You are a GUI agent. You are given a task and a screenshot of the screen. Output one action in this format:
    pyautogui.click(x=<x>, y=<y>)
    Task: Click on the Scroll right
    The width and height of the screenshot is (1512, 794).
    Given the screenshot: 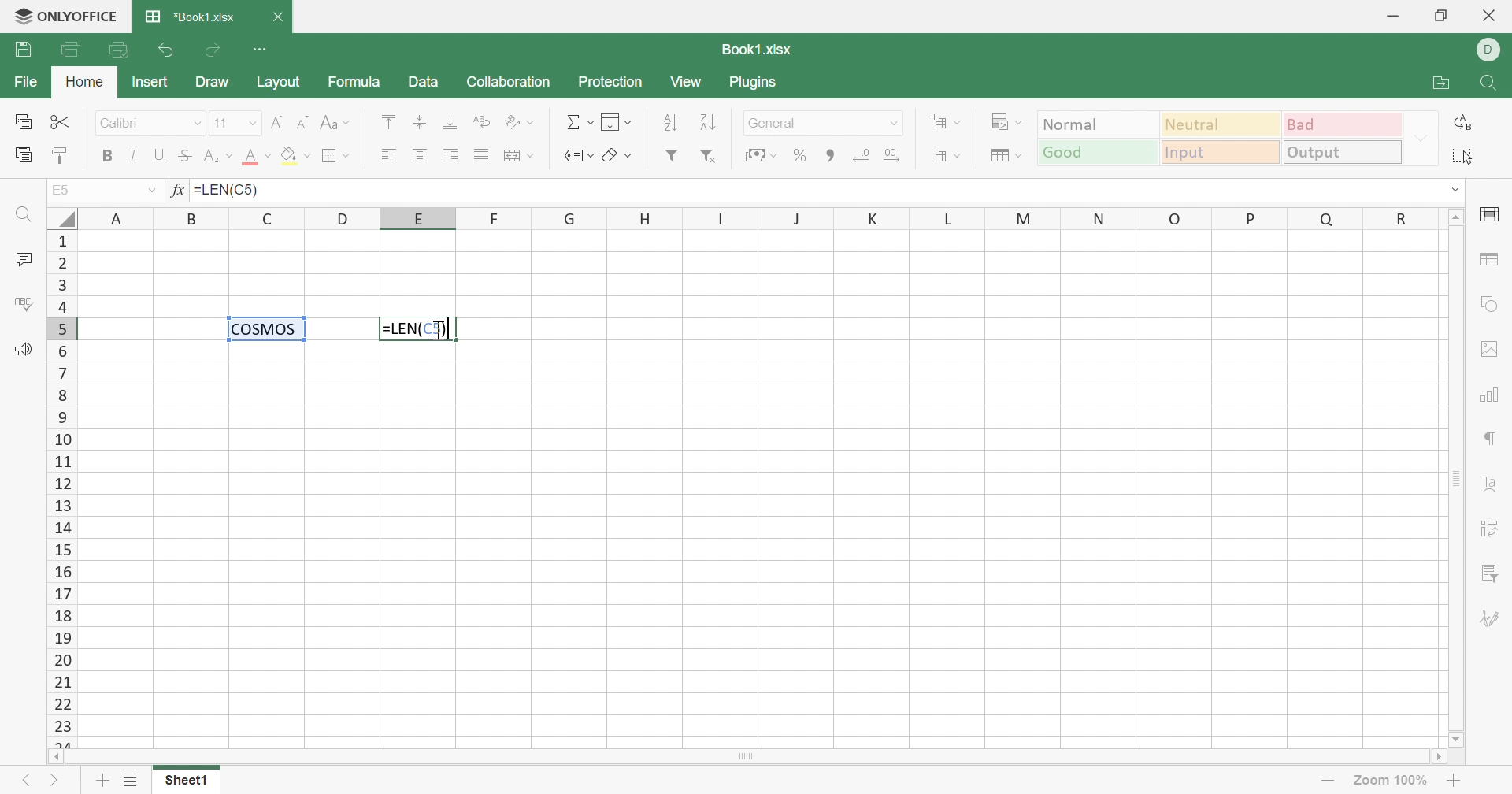 What is the action you would take?
    pyautogui.click(x=1437, y=755)
    